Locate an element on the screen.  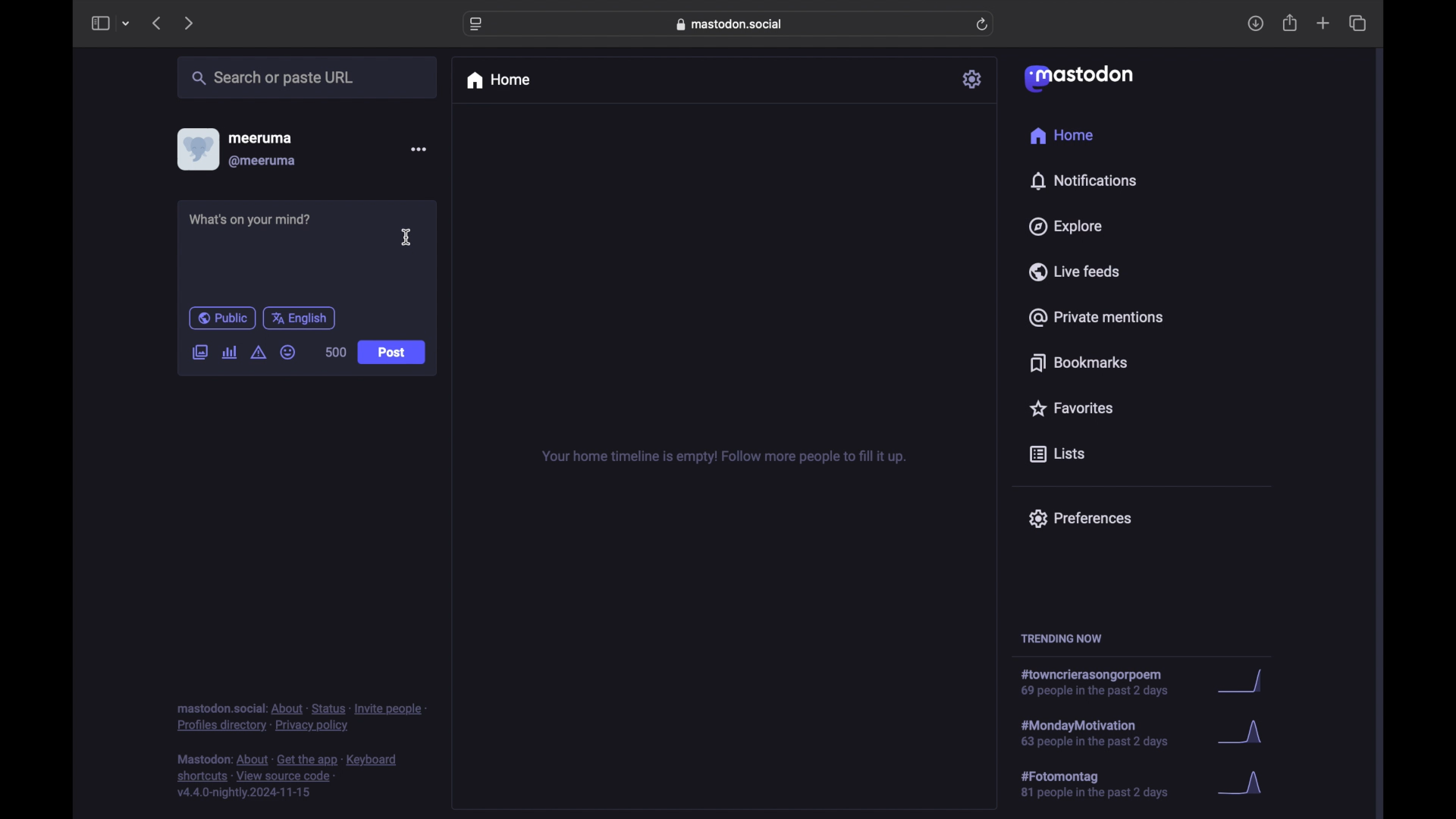
private mentions is located at coordinates (1097, 317).